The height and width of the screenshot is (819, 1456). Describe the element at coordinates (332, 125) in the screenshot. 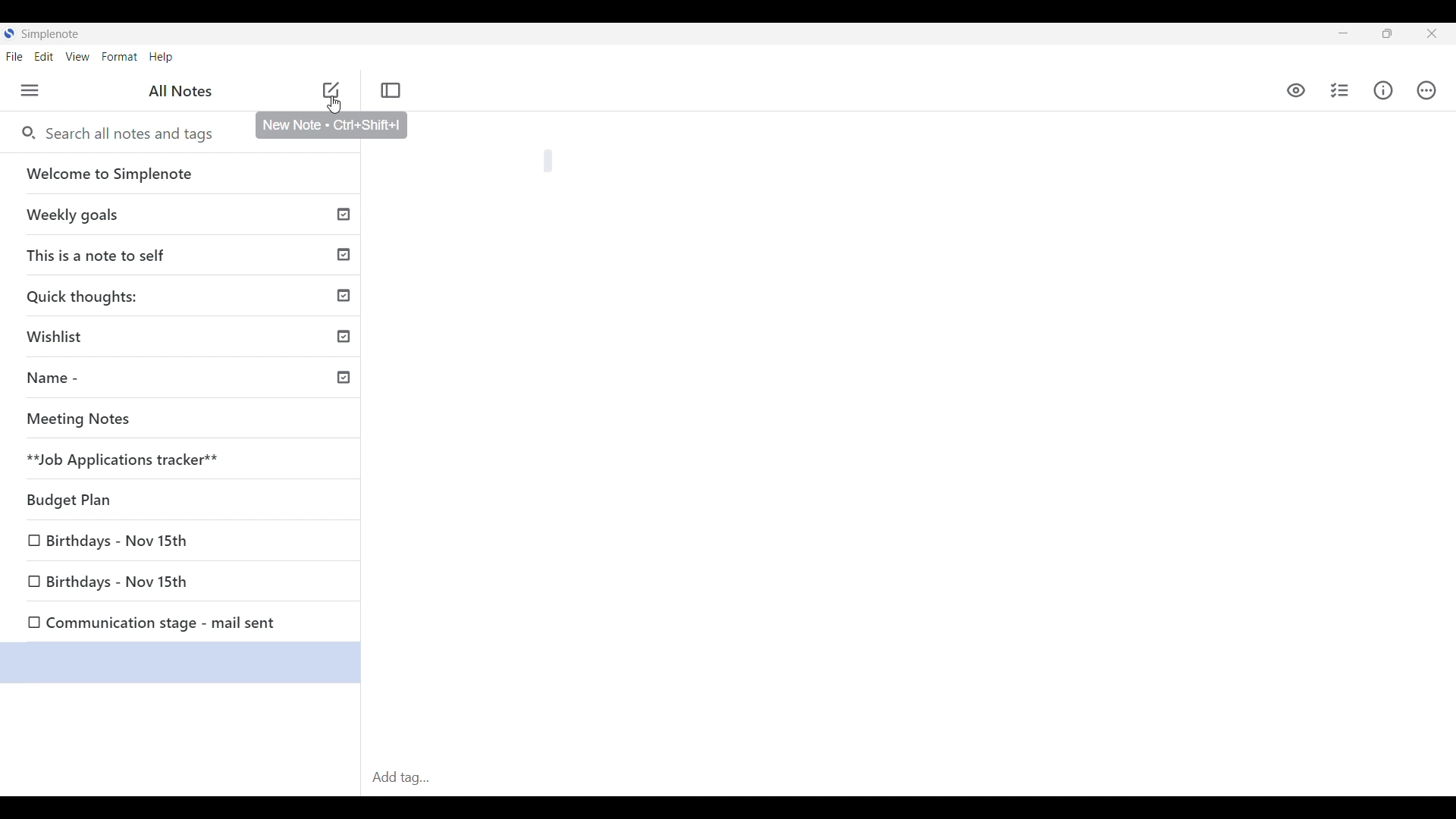

I see `New Note - Ctri+Shift+I` at that location.